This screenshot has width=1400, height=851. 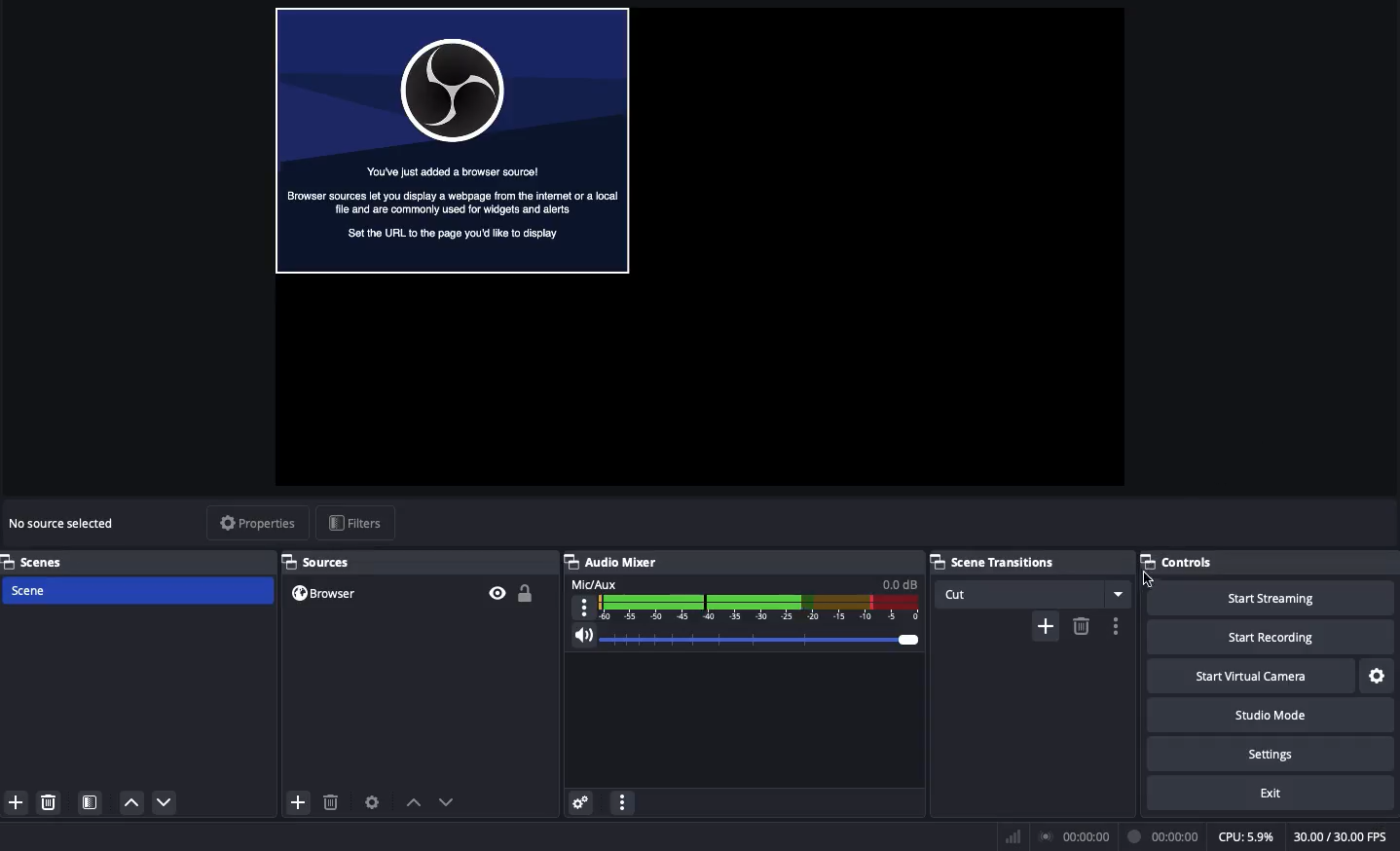 I want to click on Remove, so click(x=51, y=804).